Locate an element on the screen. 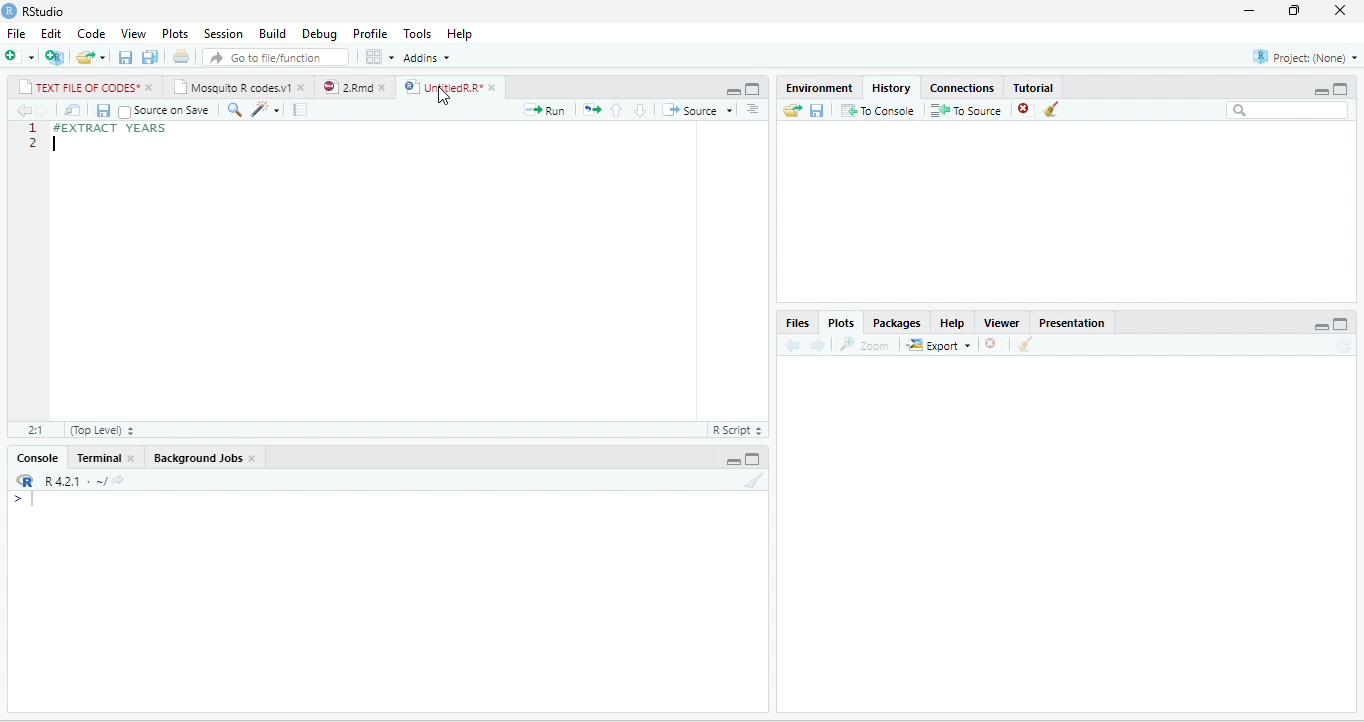 This screenshot has width=1364, height=722. open in new window is located at coordinates (73, 110).